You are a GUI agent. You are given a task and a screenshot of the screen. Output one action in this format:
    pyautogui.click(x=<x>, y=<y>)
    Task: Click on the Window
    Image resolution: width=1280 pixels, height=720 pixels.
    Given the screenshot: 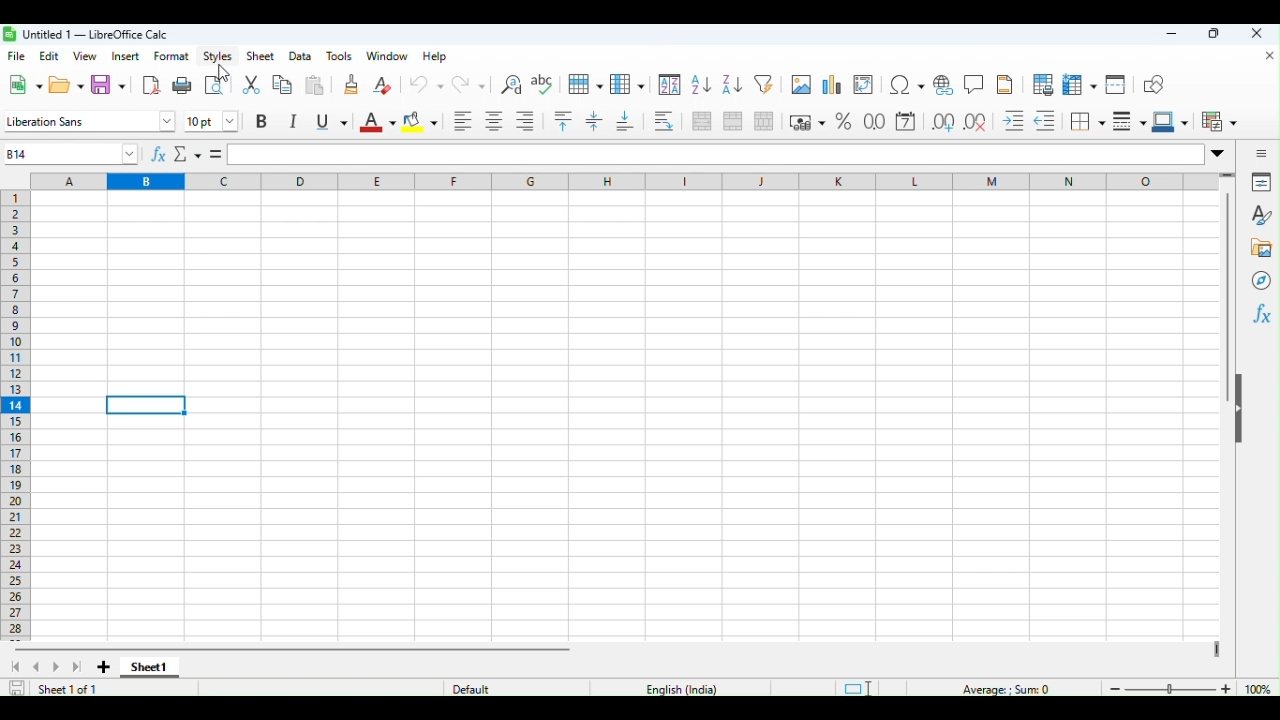 What is the action you would take?
    pyautogui.click(x=387, y=55)
    